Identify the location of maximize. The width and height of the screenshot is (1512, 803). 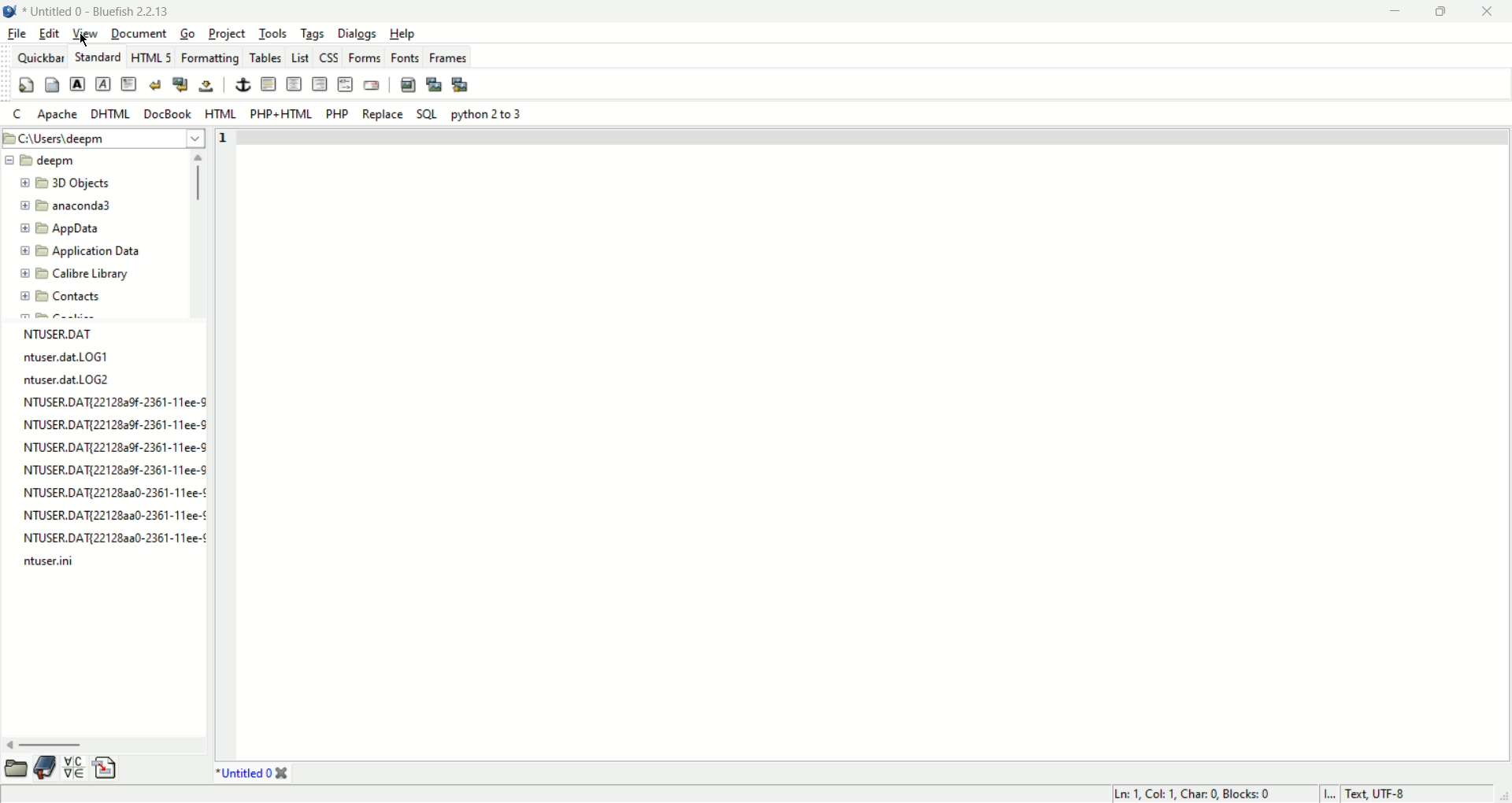
(1440, 13).